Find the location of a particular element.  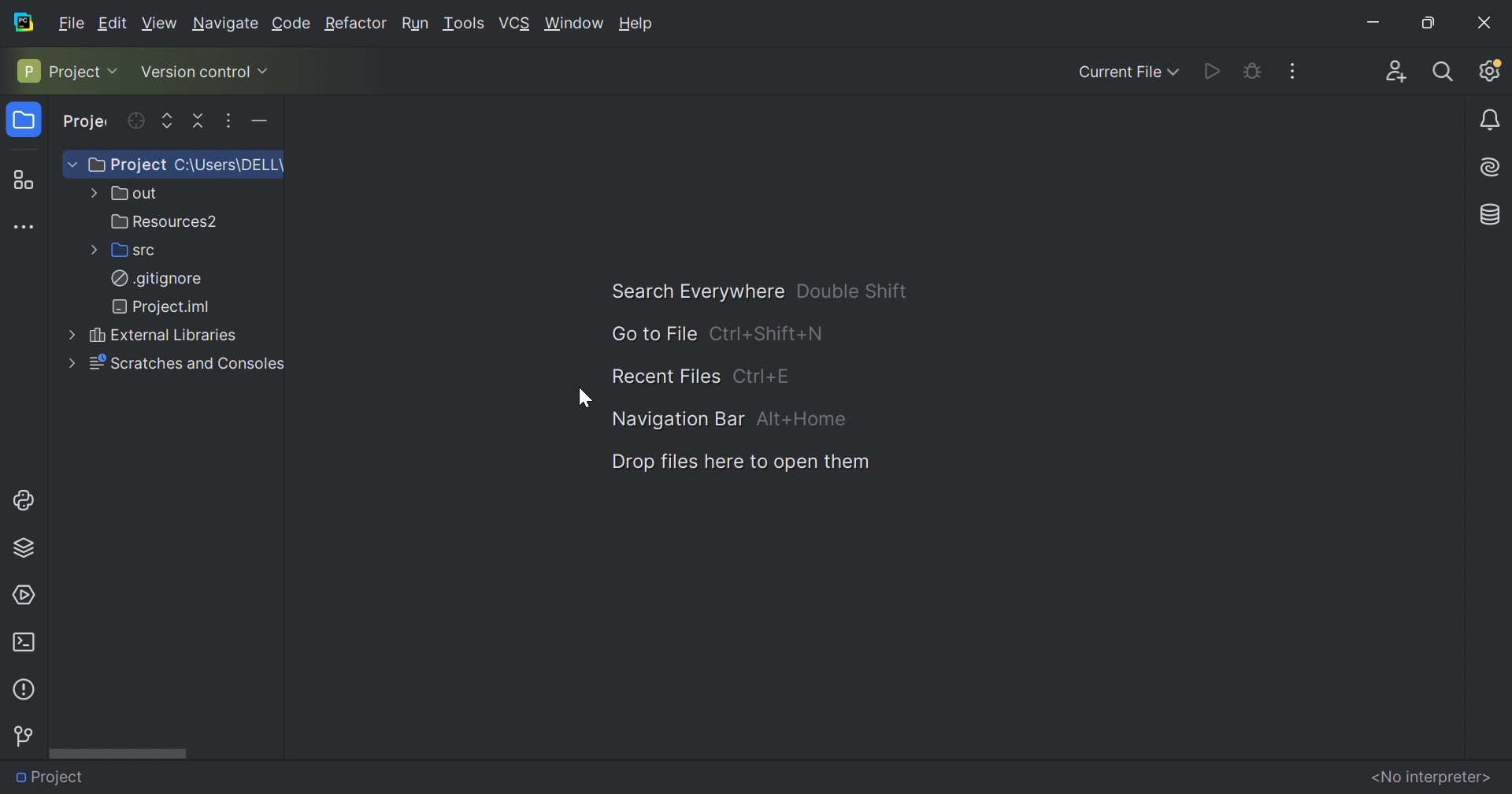

src is located at coordinates (130, 250).